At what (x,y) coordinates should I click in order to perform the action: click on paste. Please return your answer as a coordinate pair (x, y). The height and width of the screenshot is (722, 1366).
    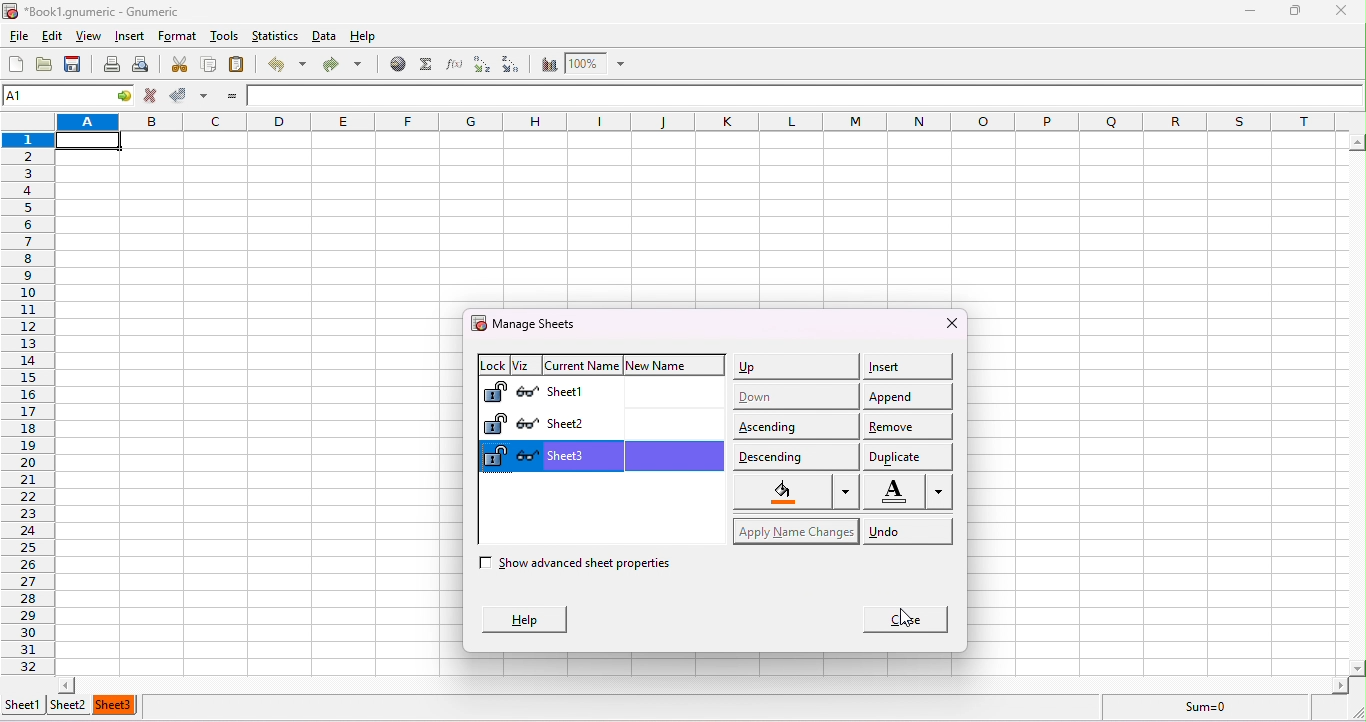
    Looking at the image, I should click on (241, 67).